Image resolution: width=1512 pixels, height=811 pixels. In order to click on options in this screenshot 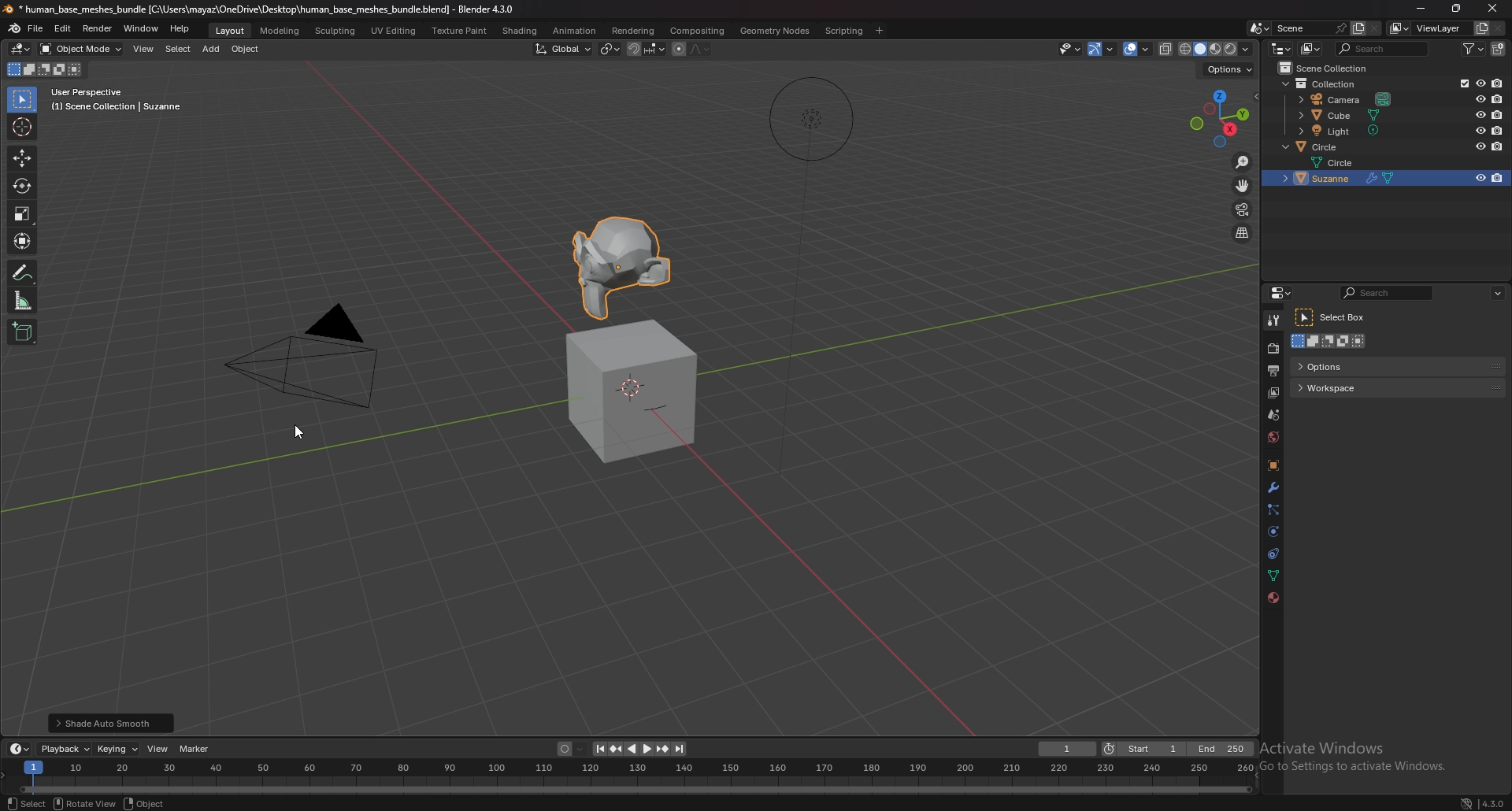, I will do `click(1499, 292)`.